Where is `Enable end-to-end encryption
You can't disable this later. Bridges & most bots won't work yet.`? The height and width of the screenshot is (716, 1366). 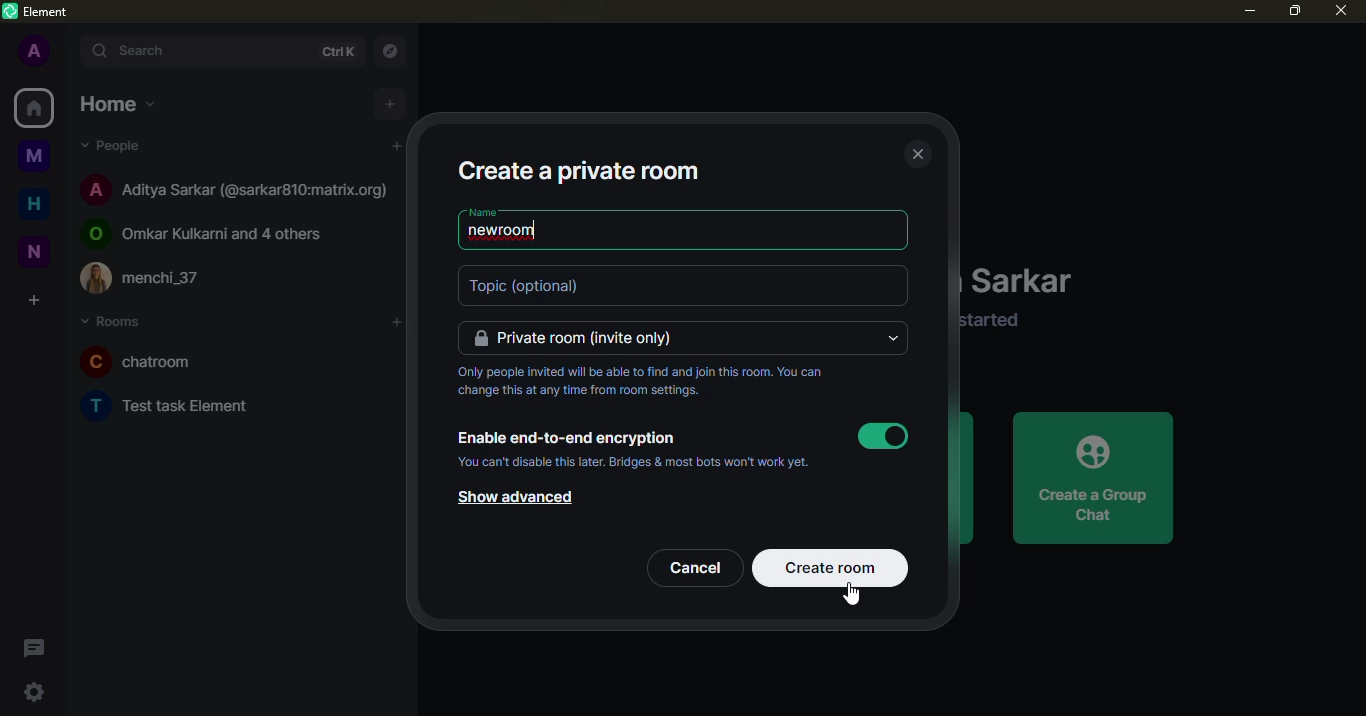 Enable end-to-end encryption
You can't disable this later. Bridges & most bots won't work yet. is located at coordinates (631, 451).